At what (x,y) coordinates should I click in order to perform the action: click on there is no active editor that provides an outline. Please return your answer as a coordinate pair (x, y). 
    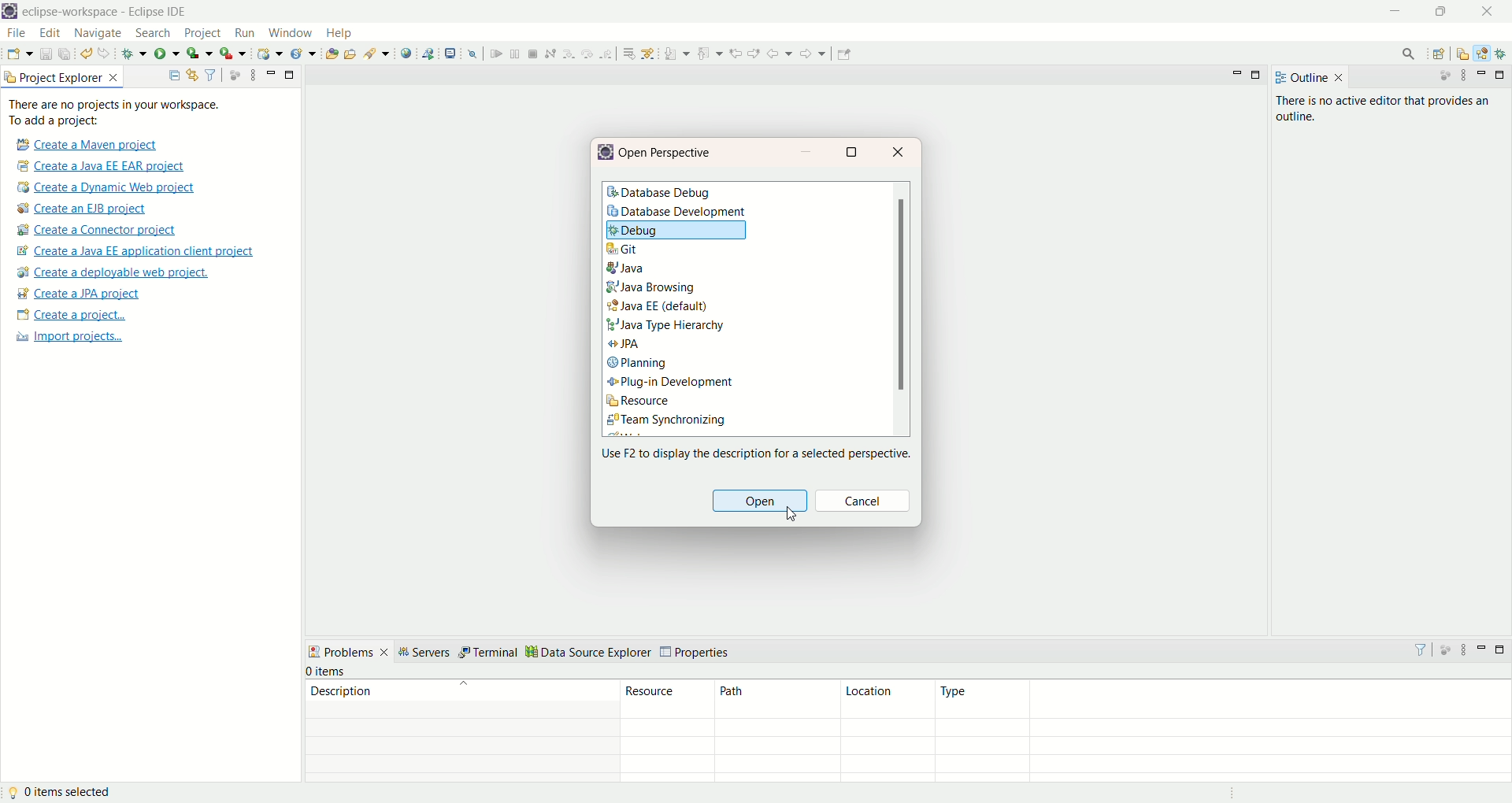
    Looking at the image, I should click on (1386, 109).